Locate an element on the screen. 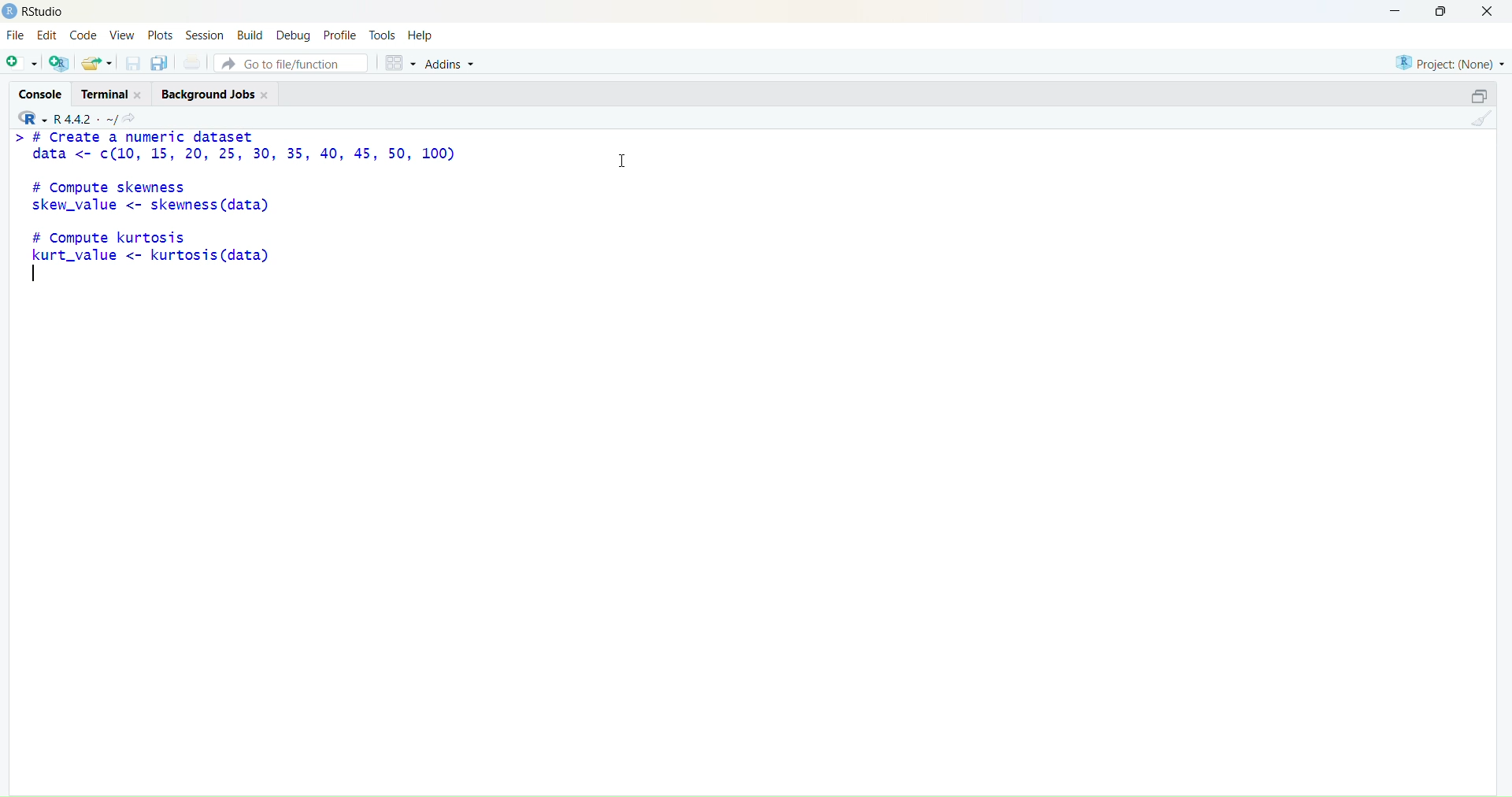 Image resolution: width=1512 pixels, height=797 pixels. Text cursor is located at coordinates (626, 159).